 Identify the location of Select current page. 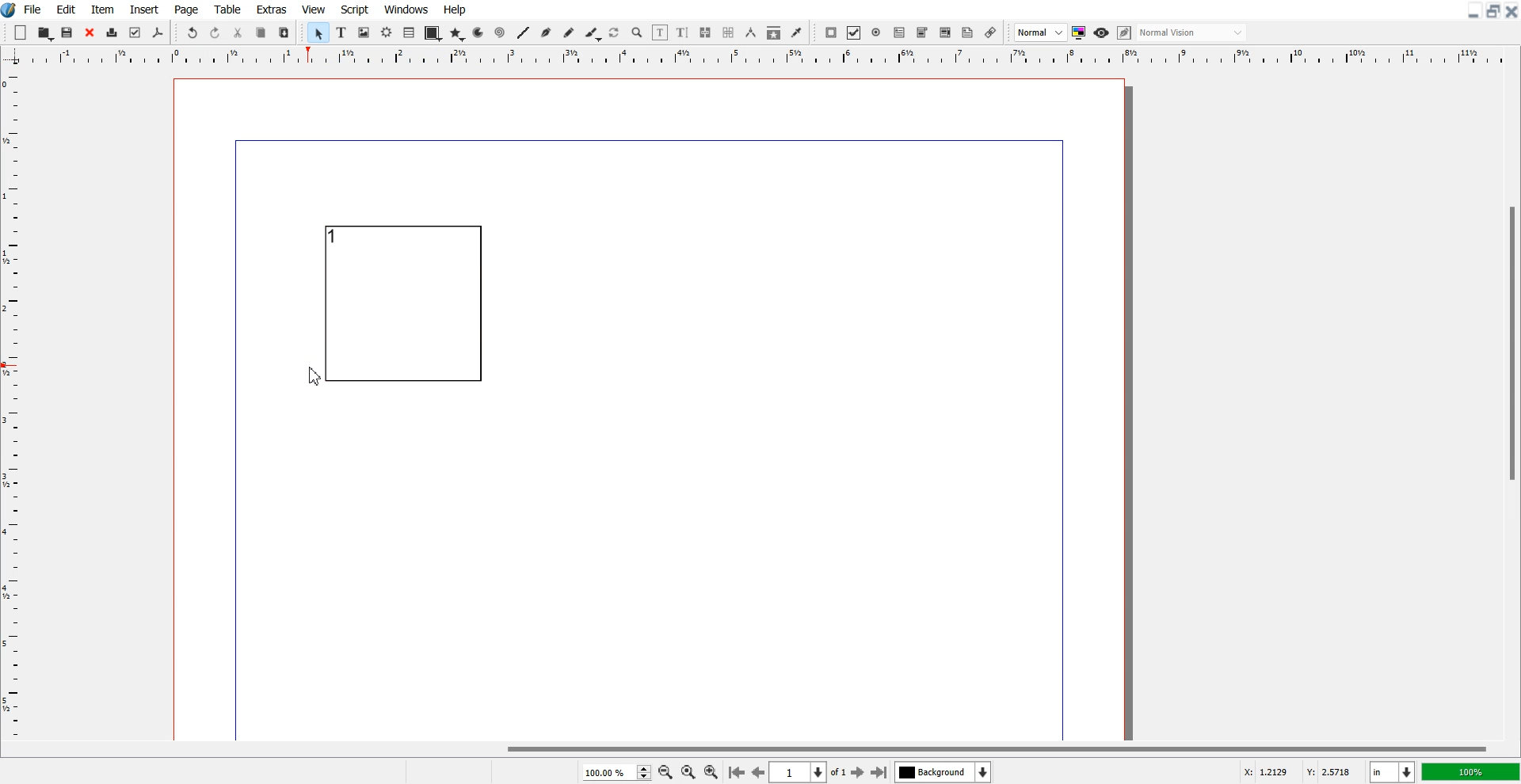
(808, 772).